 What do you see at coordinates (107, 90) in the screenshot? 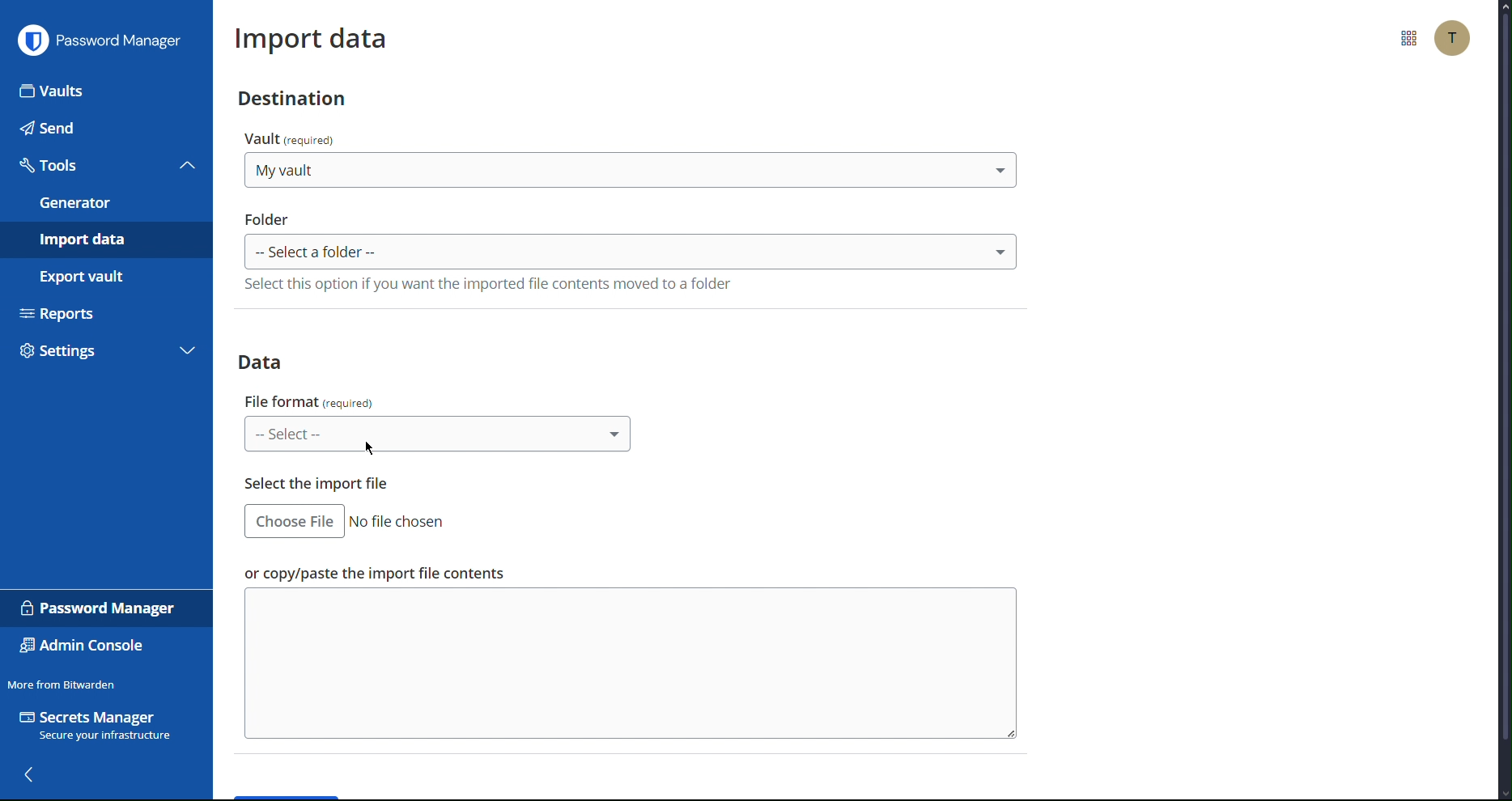
I see `Vaults` at bounding box center [107, 90].